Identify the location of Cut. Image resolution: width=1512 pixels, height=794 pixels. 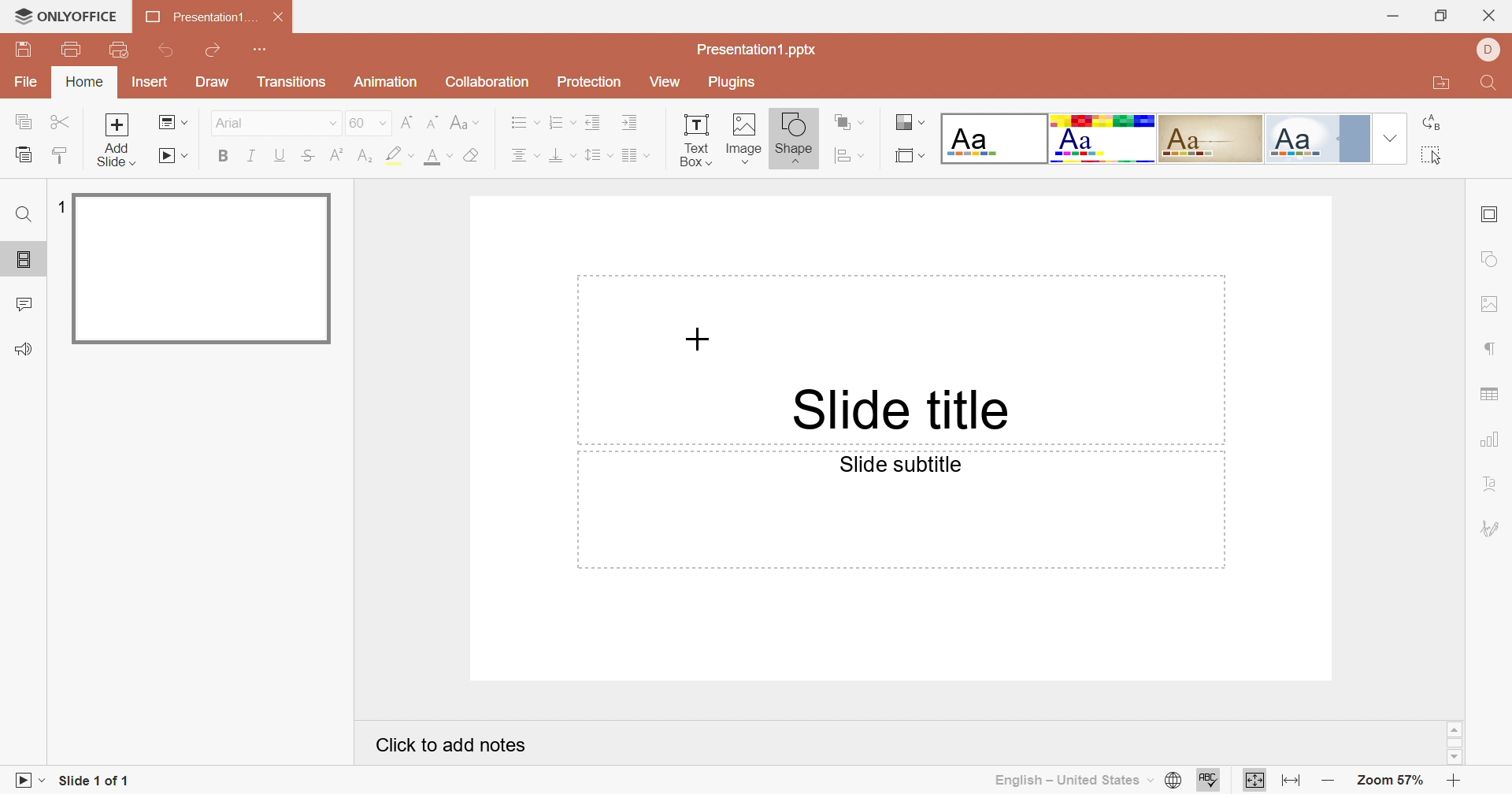
(61, 123).